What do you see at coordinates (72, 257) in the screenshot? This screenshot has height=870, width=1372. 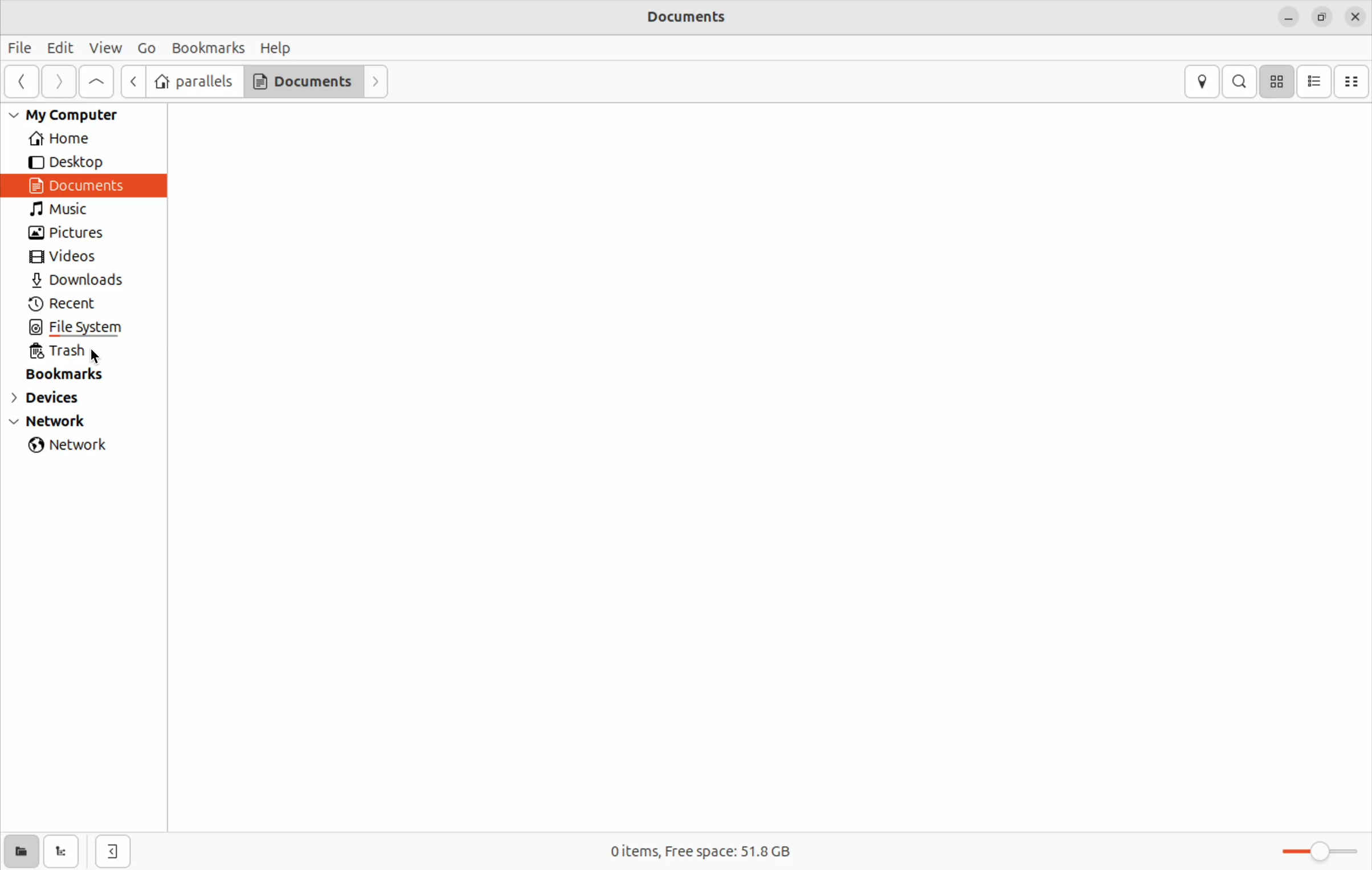 I see `videos` at bounding box center [72, 257].